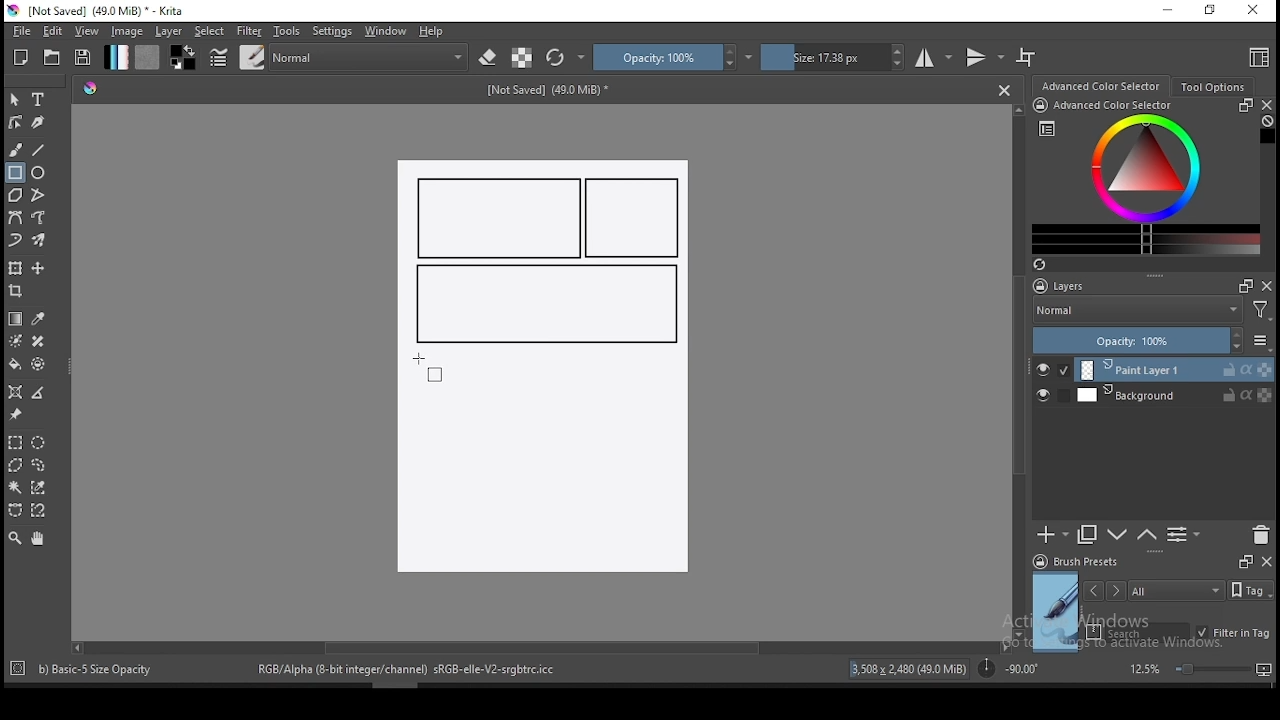  Describe the element at coordinates (116, 57) in the screenshot. I see `gradient fill` at that location.